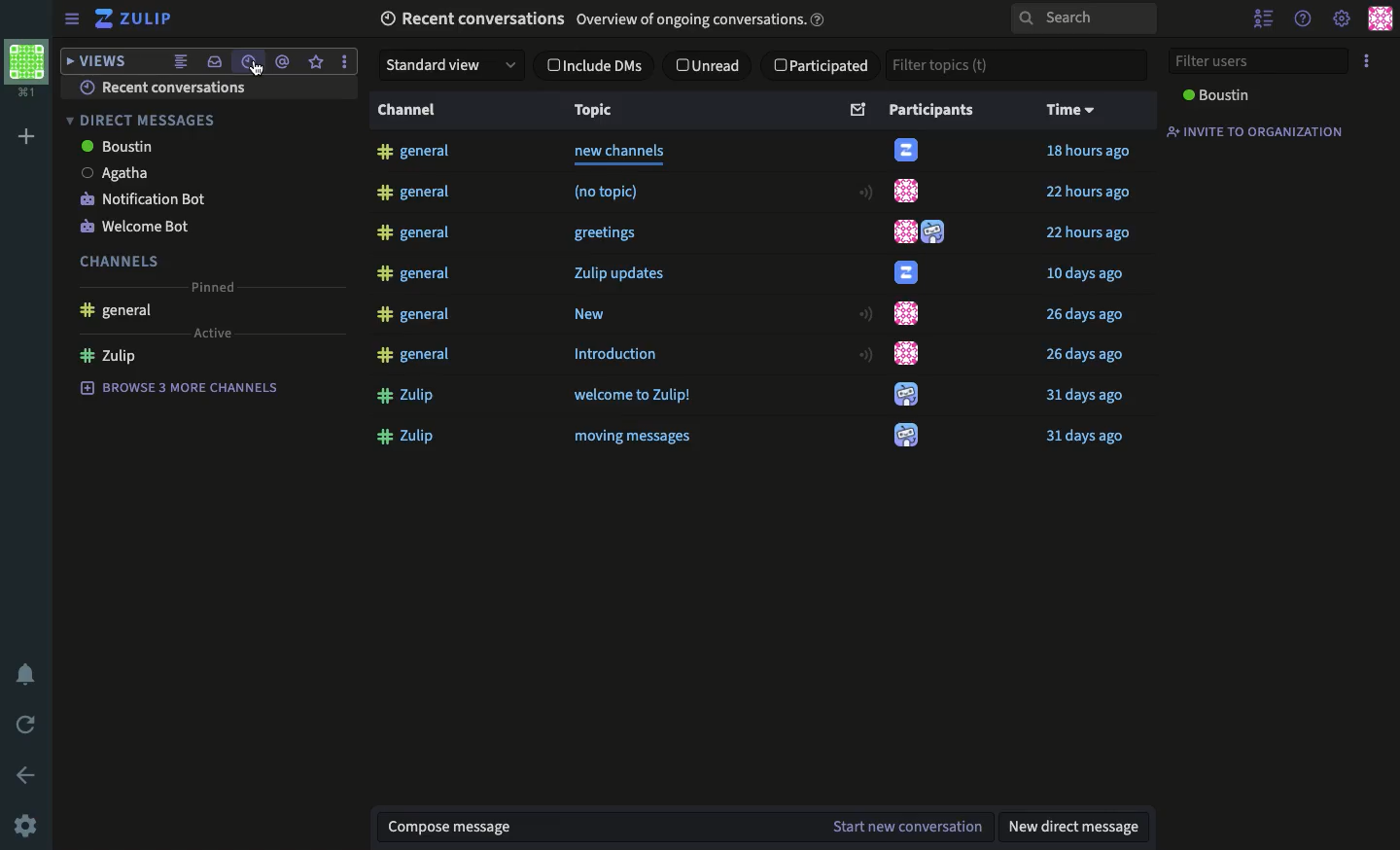  Describe the element at coordinates (1088, 357) in the screenshot. I see `26 days ago` at that location.